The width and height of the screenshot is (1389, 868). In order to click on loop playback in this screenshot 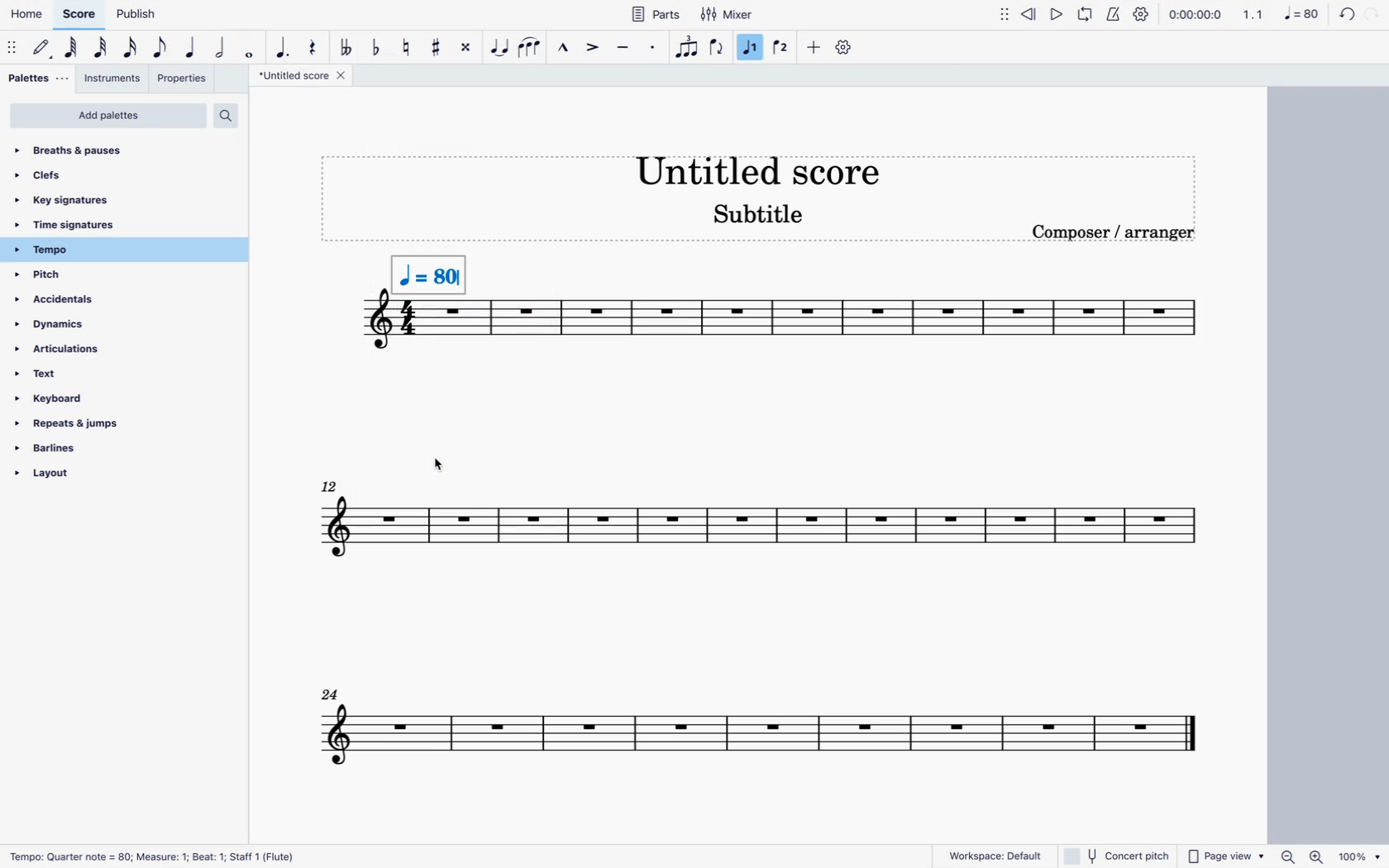, I will do `click(1085, 17)`.